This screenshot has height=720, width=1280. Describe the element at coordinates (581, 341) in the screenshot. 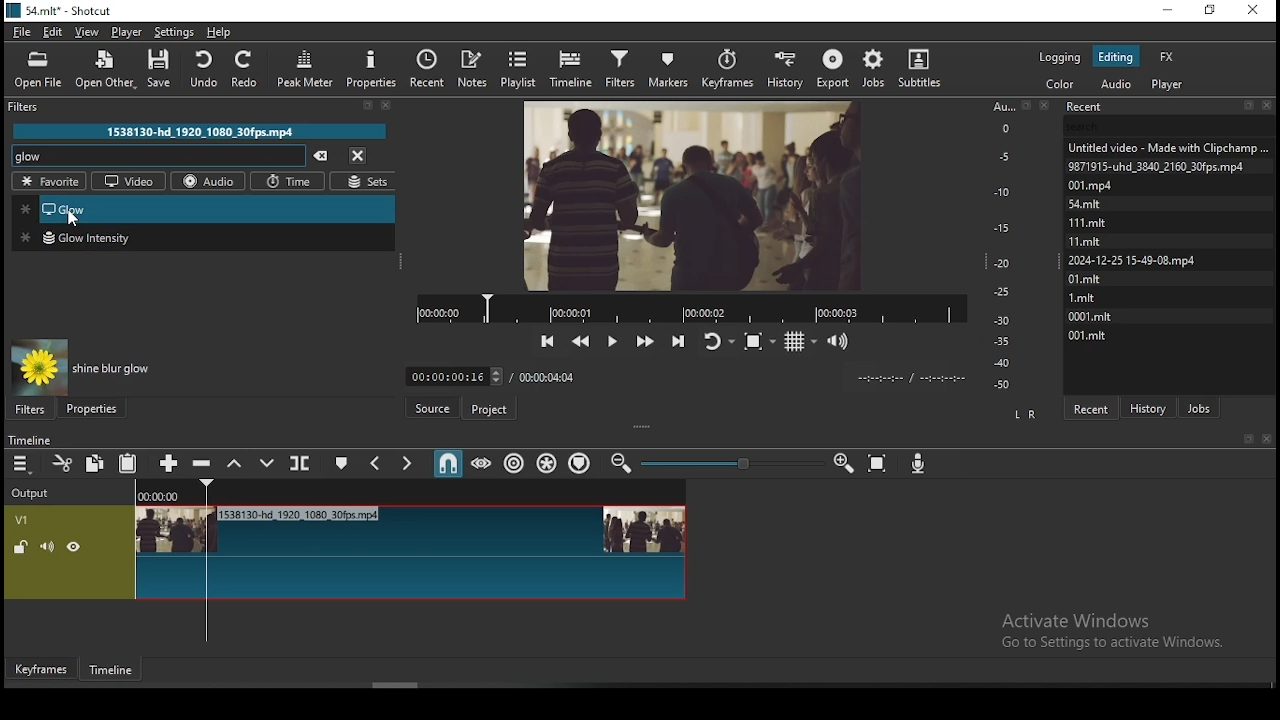

I see `play quickly backwards` at that location.